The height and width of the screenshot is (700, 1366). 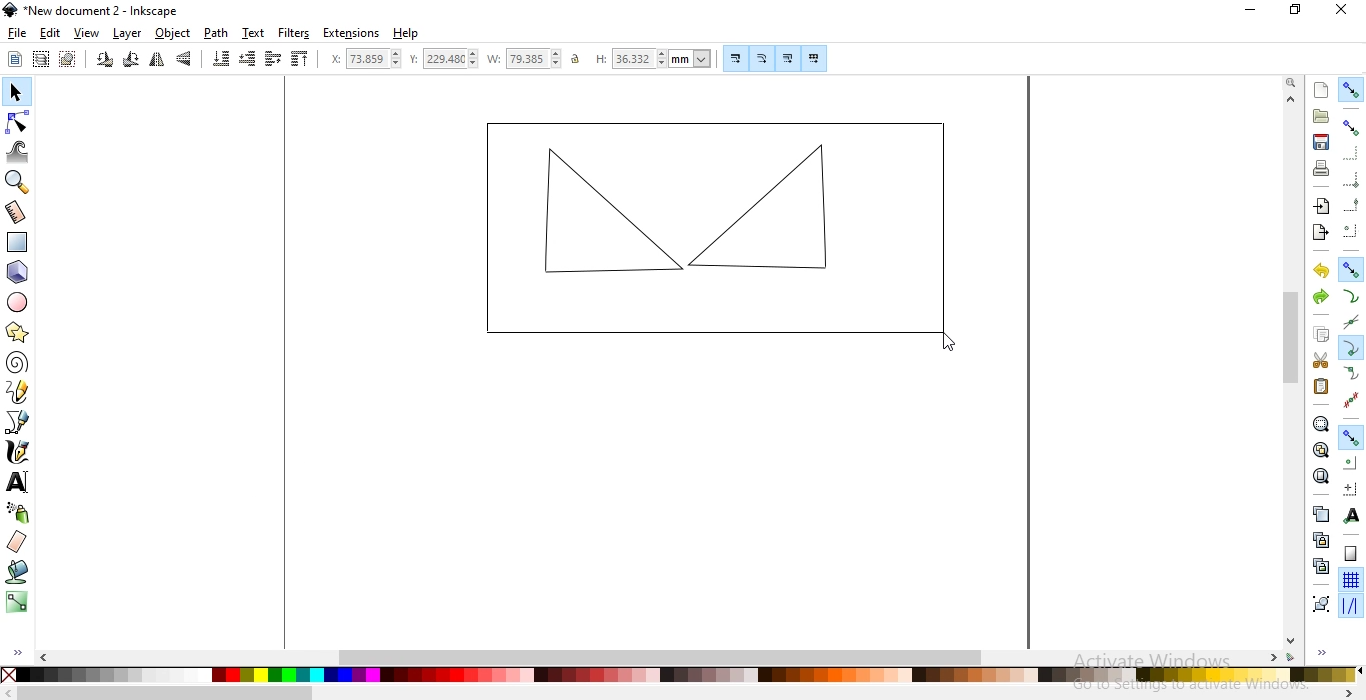 I want to click on scrollbar, so click(x=668, y=659).